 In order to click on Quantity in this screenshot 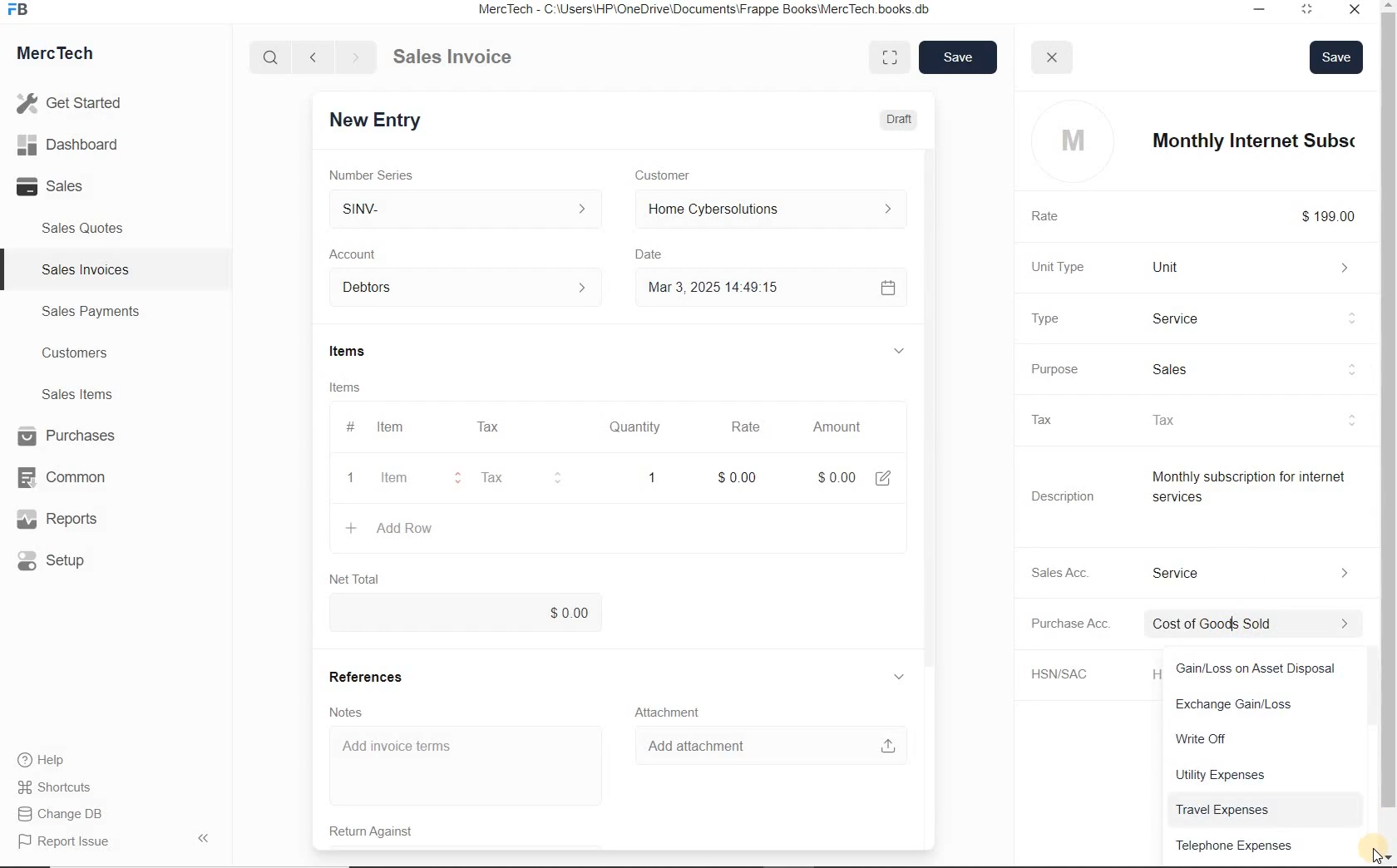, I will do `click(644, 427)`.